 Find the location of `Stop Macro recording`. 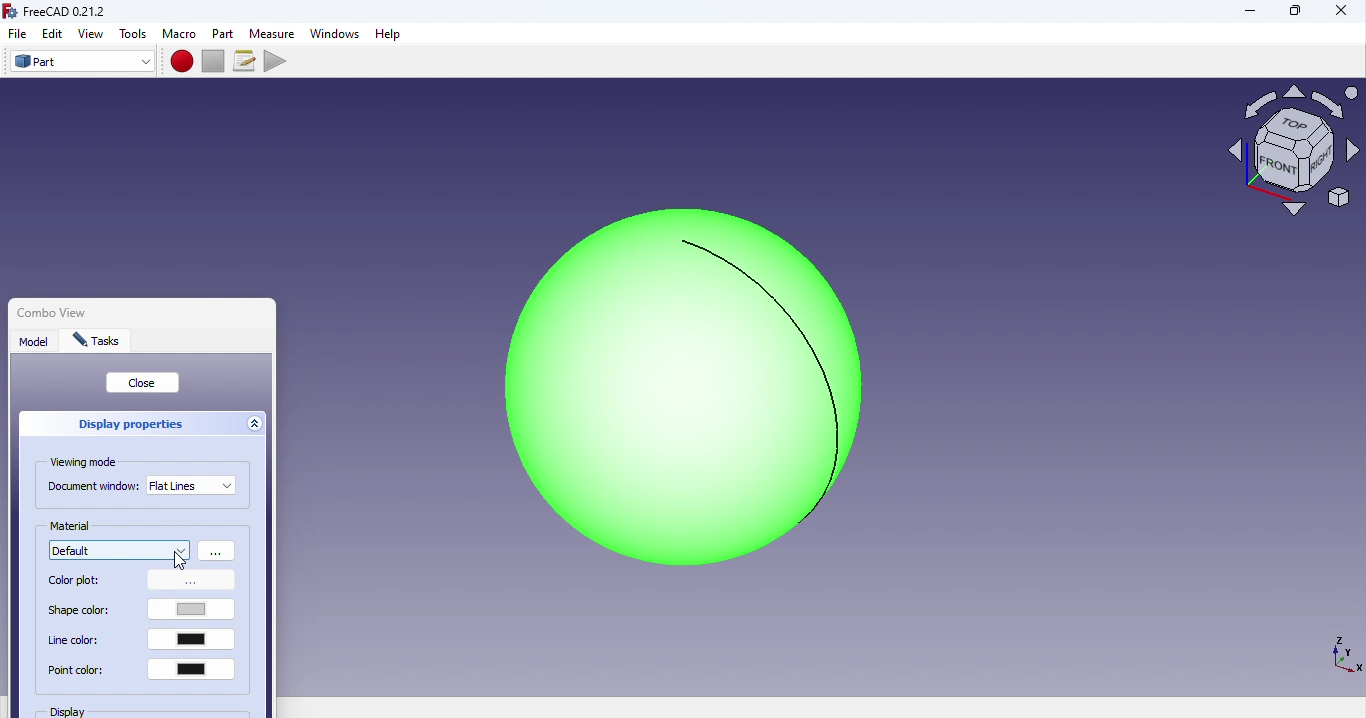

Stop Macro recording is located at coordinates (217, 60).